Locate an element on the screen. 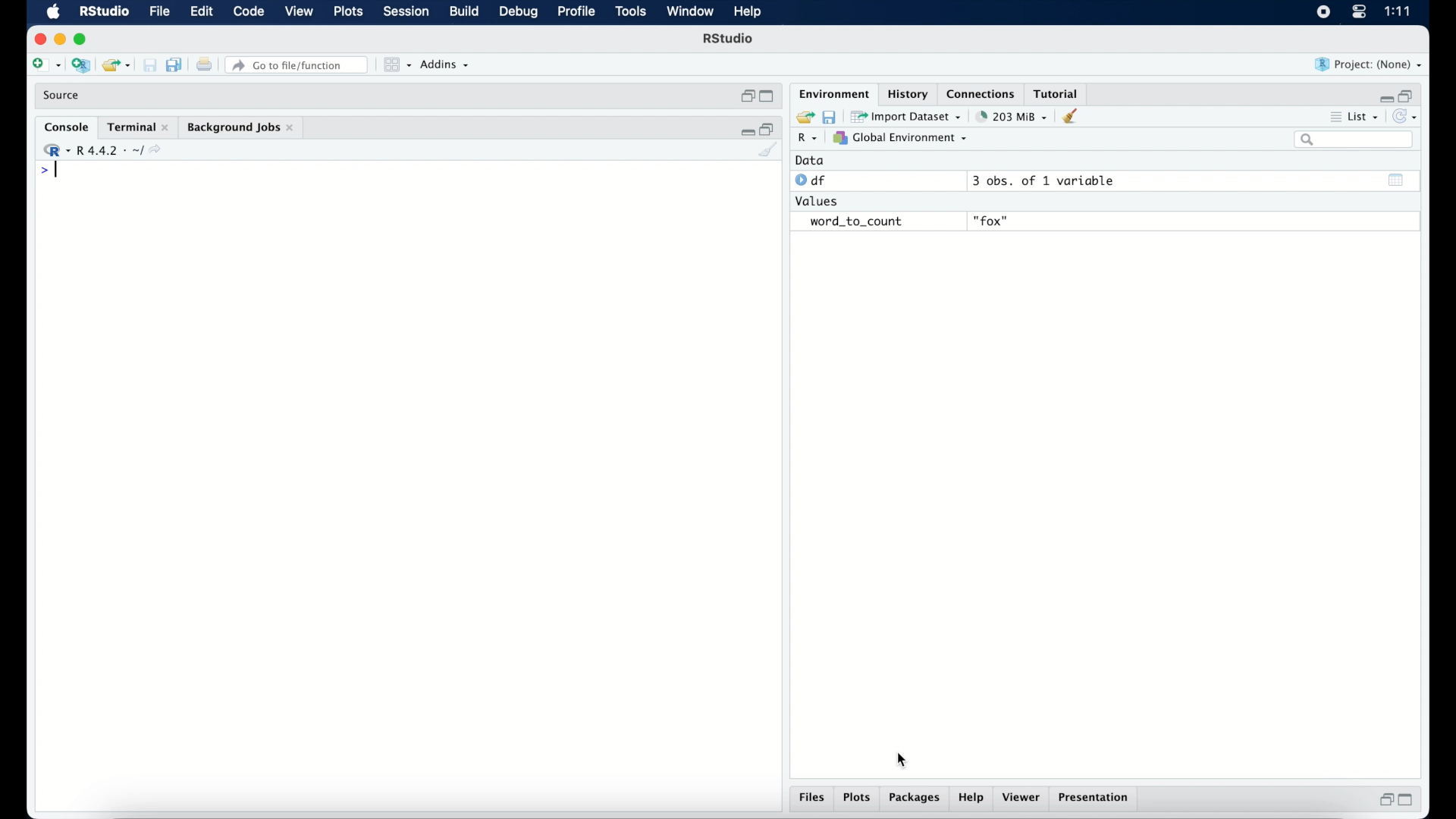  restore down is located at coordinates (768, 128).